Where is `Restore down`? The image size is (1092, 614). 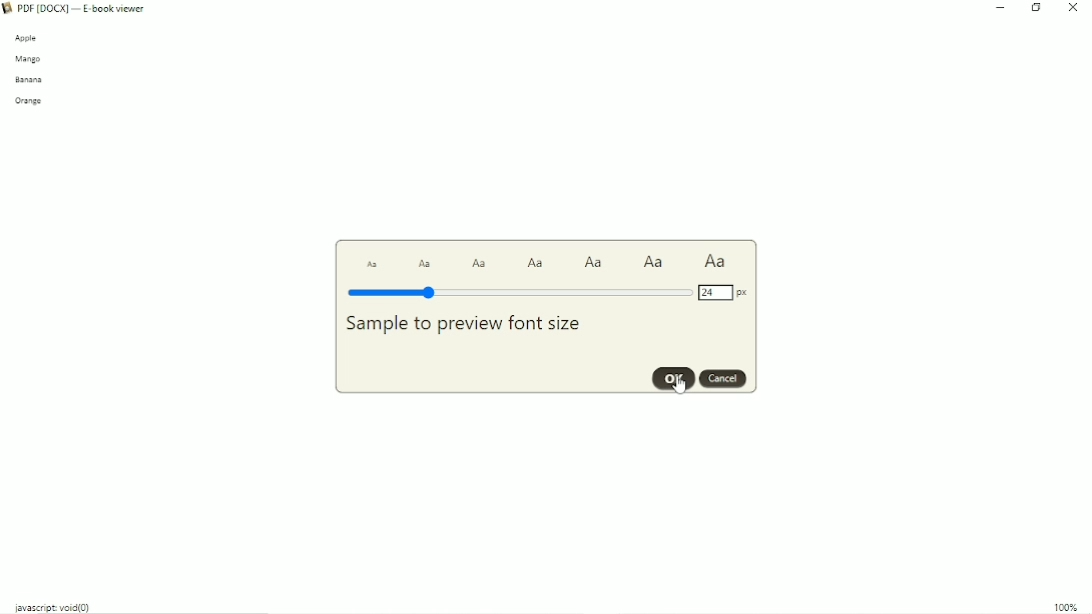 Restore down is located at coordinates (1037, 8).